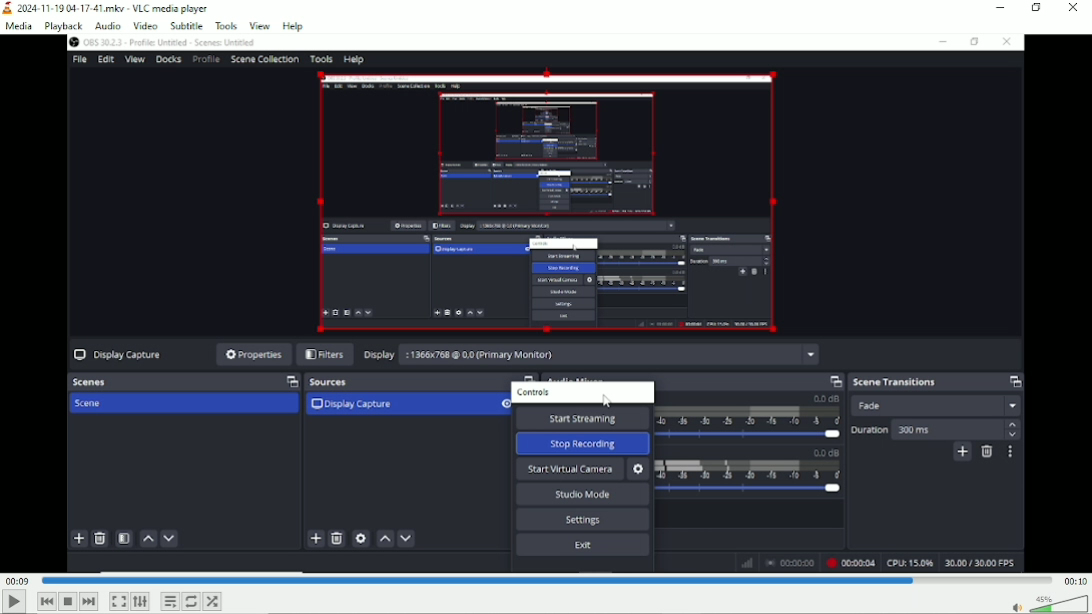  I want to click on 2024-11-19 04-17-41.mkv - VLC media player, so click(107, 8).